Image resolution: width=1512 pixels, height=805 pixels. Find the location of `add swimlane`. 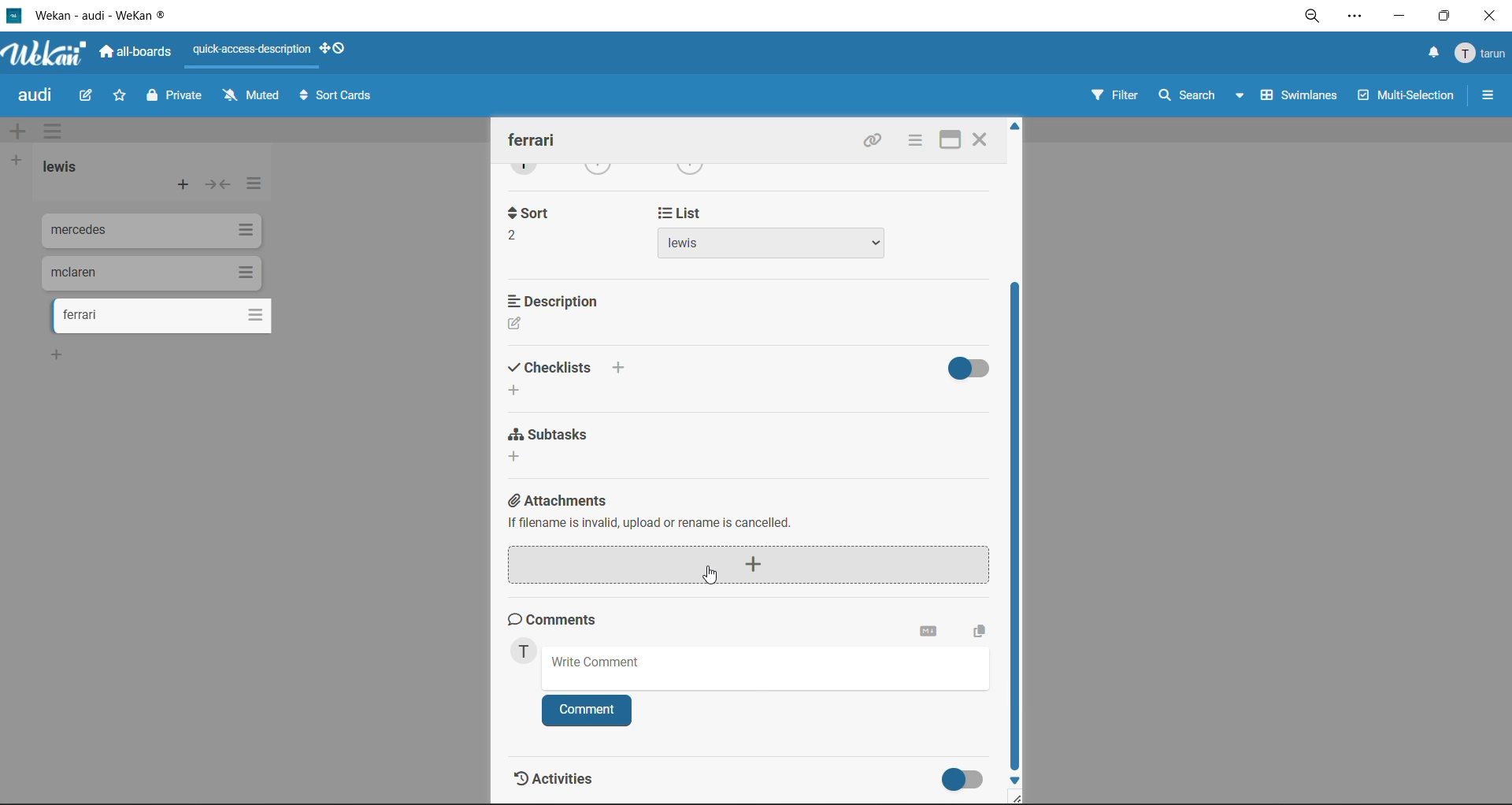

add swimlane is located at coordinates (17, 133).